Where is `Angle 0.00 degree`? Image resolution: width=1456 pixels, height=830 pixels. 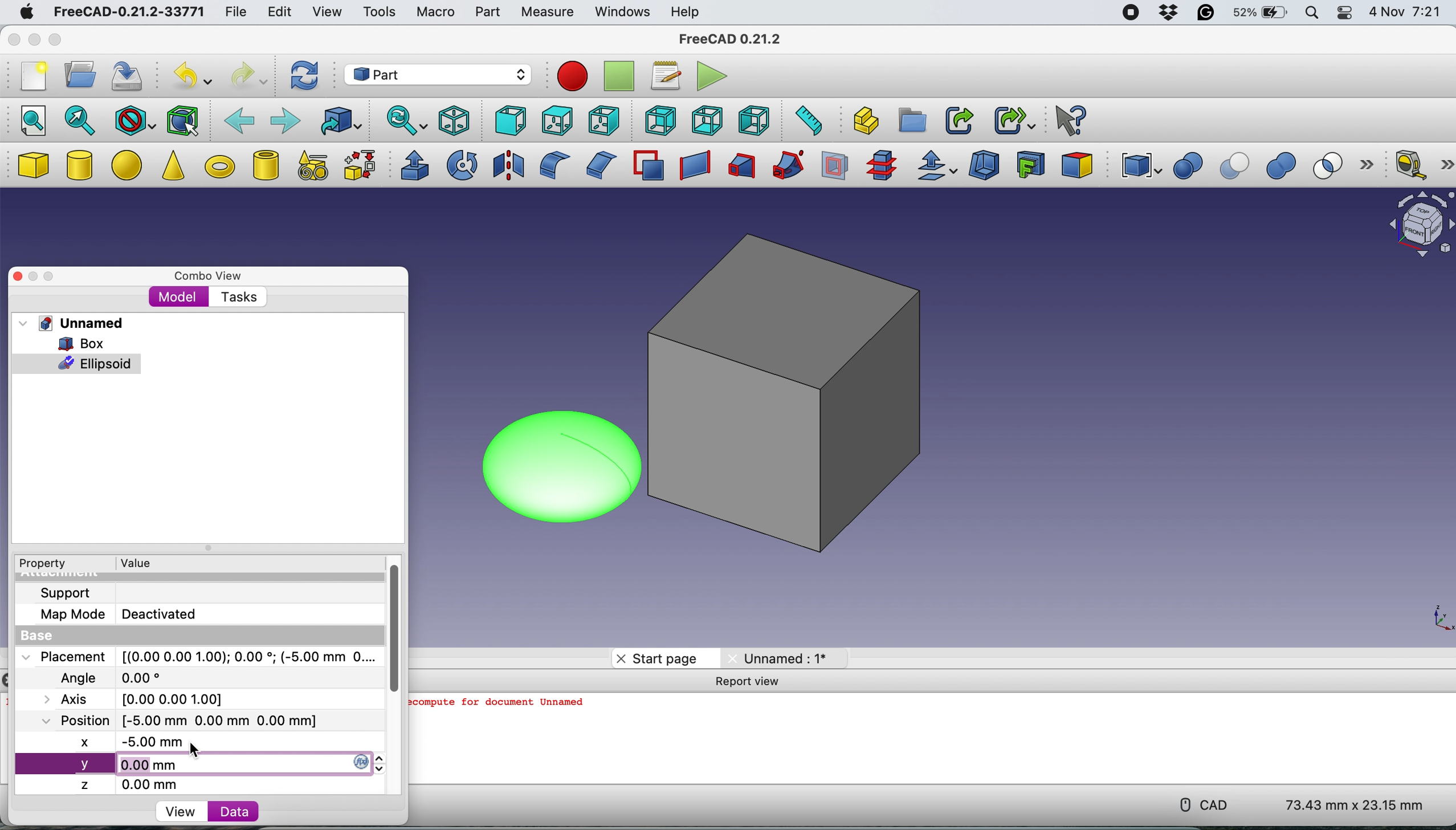 Angle 0.00 degree is located at coordinates (108, 676).